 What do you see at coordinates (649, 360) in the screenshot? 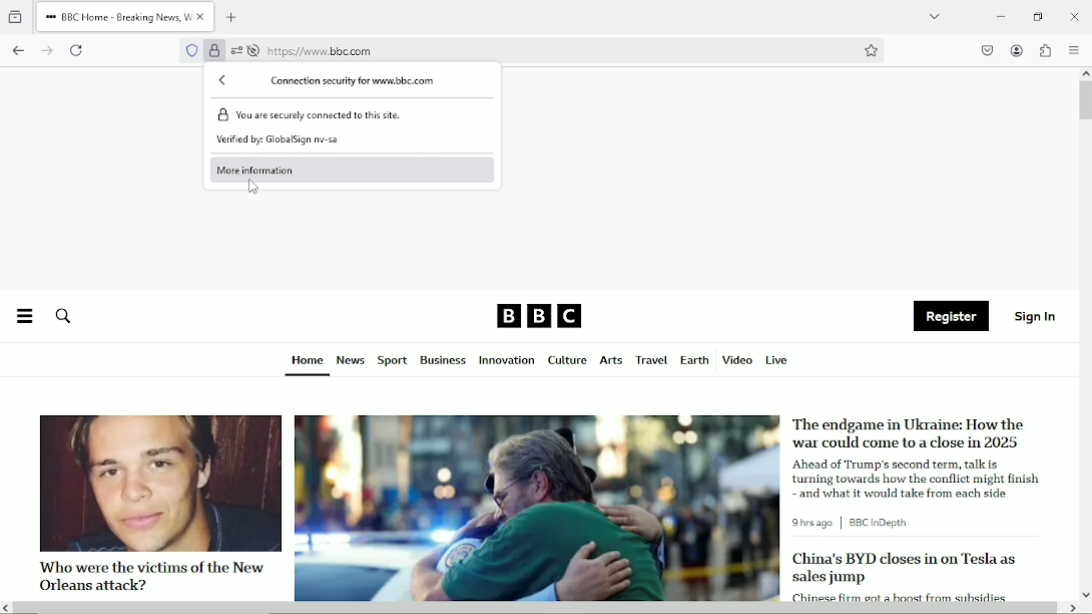
I see `Travel` at bounding box center [649, 360].